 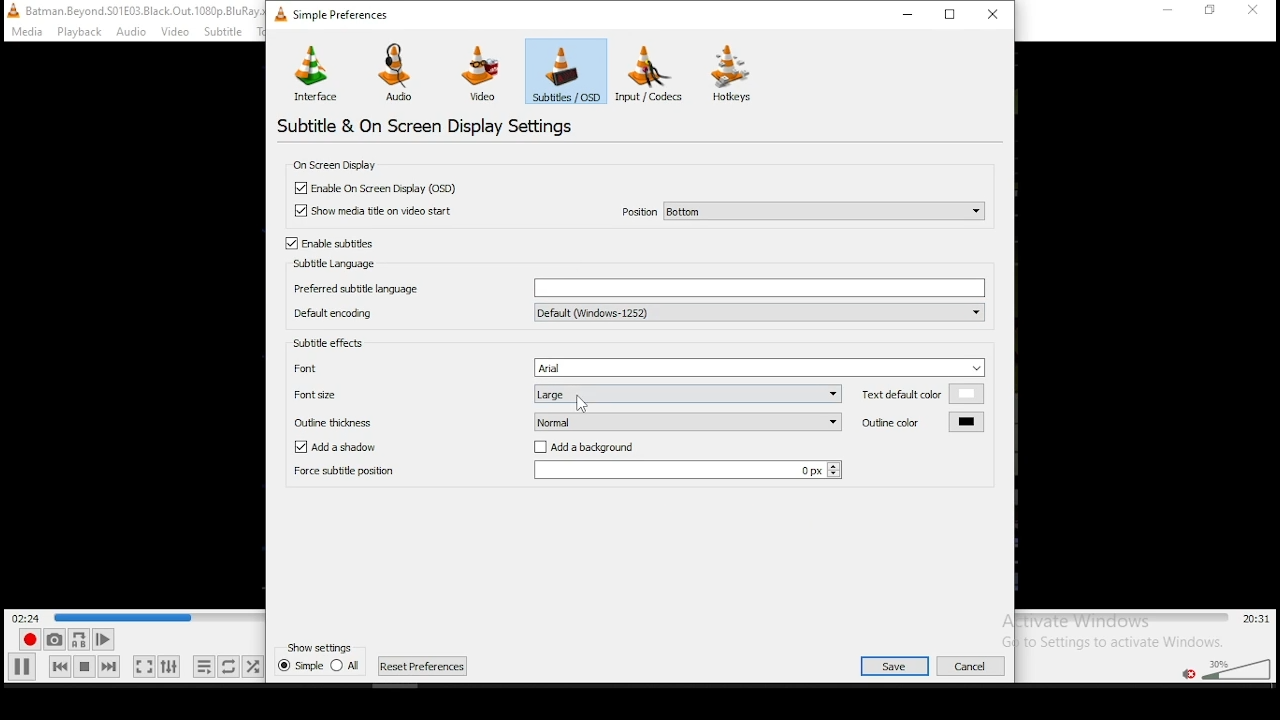 What do you see at coordinates (346, 448) in the screenshot?
I see `checkbox: add a shadow` at bounding box center [346, 448].